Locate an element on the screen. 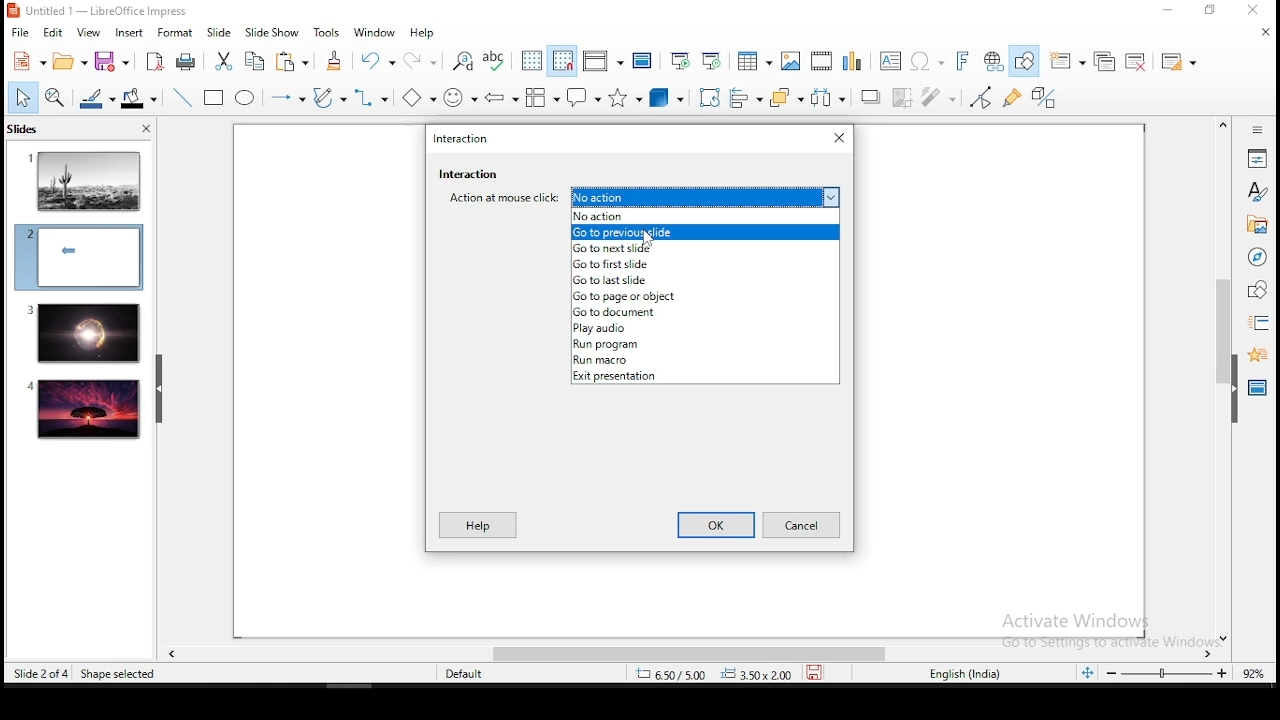  slide 1 is located at coordinates (85, 180).